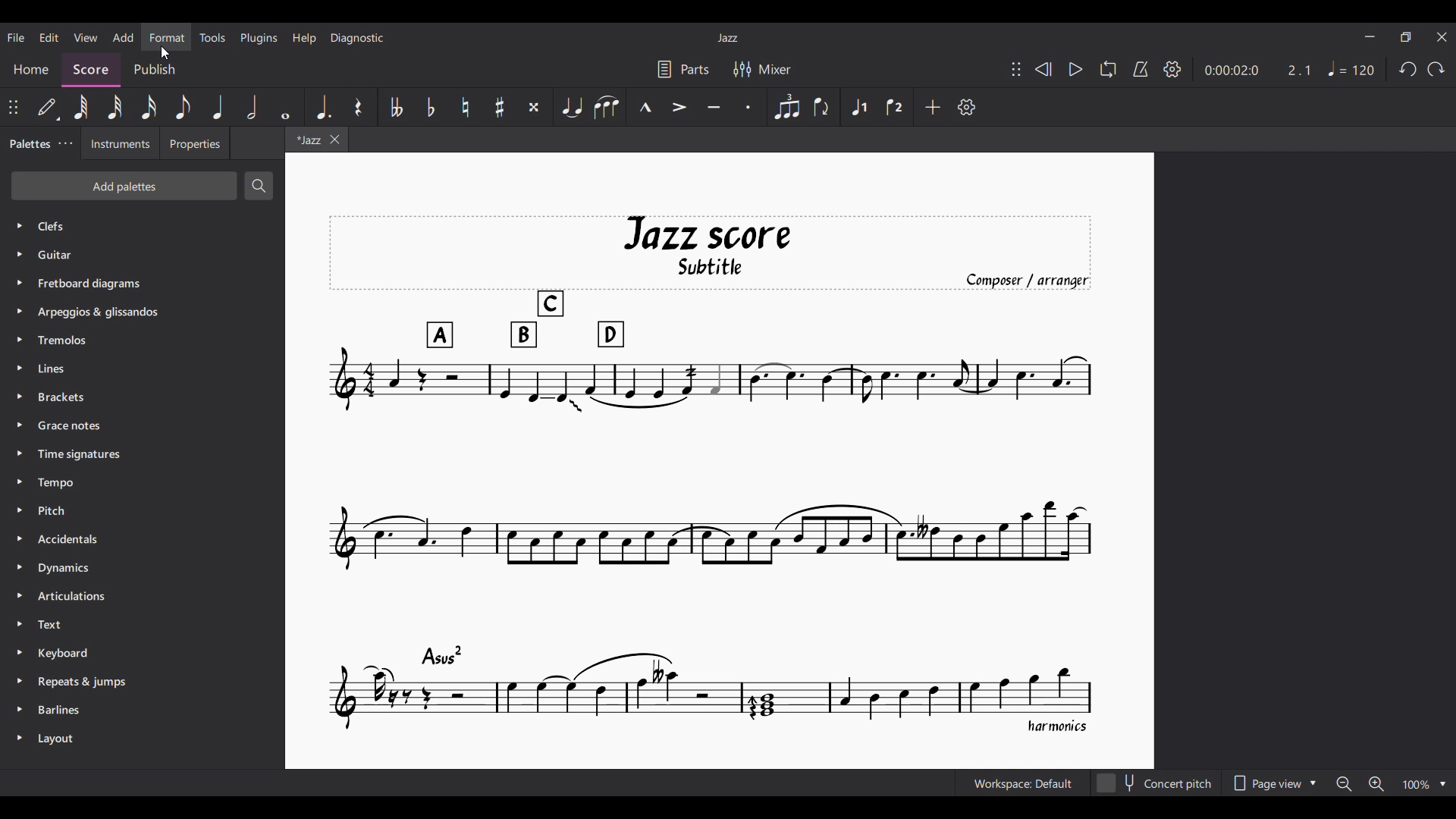 The height and width of the screenshot is (819, 1456). I want to click on Minimize, so click(1369, 36).